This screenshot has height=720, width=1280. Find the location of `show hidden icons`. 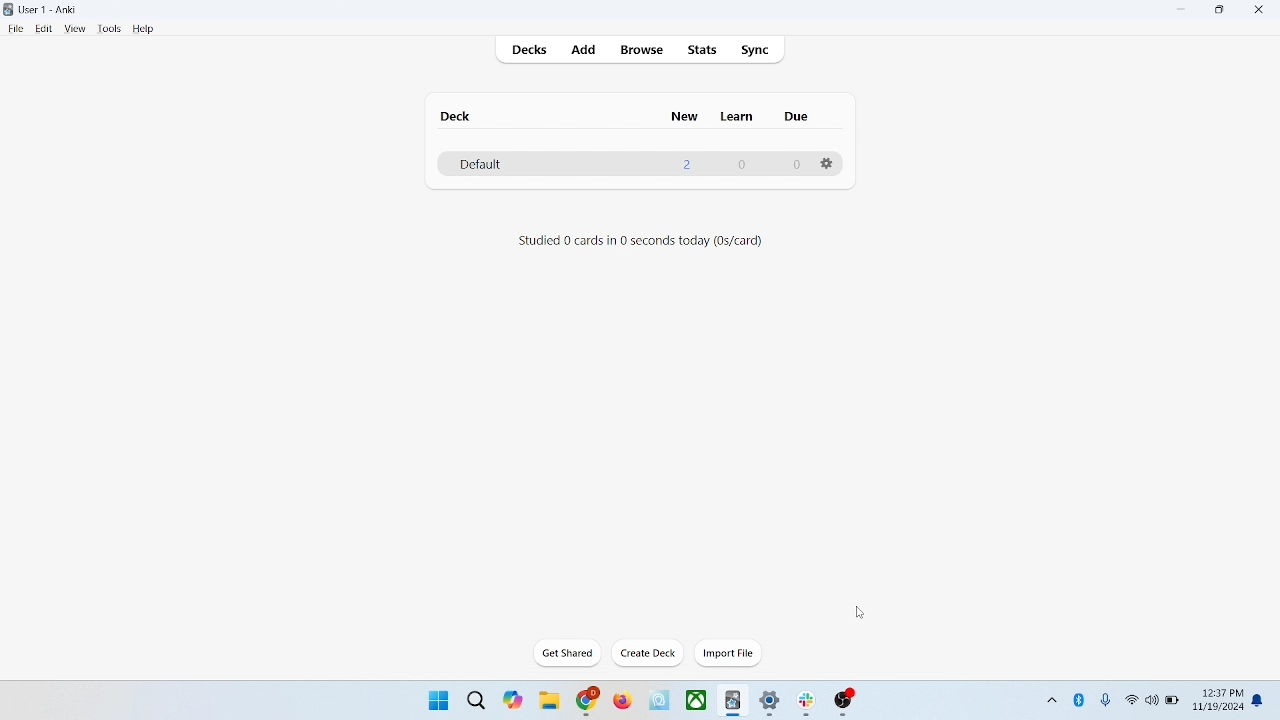

show hidden icons is located at coordinates (1050, 697).